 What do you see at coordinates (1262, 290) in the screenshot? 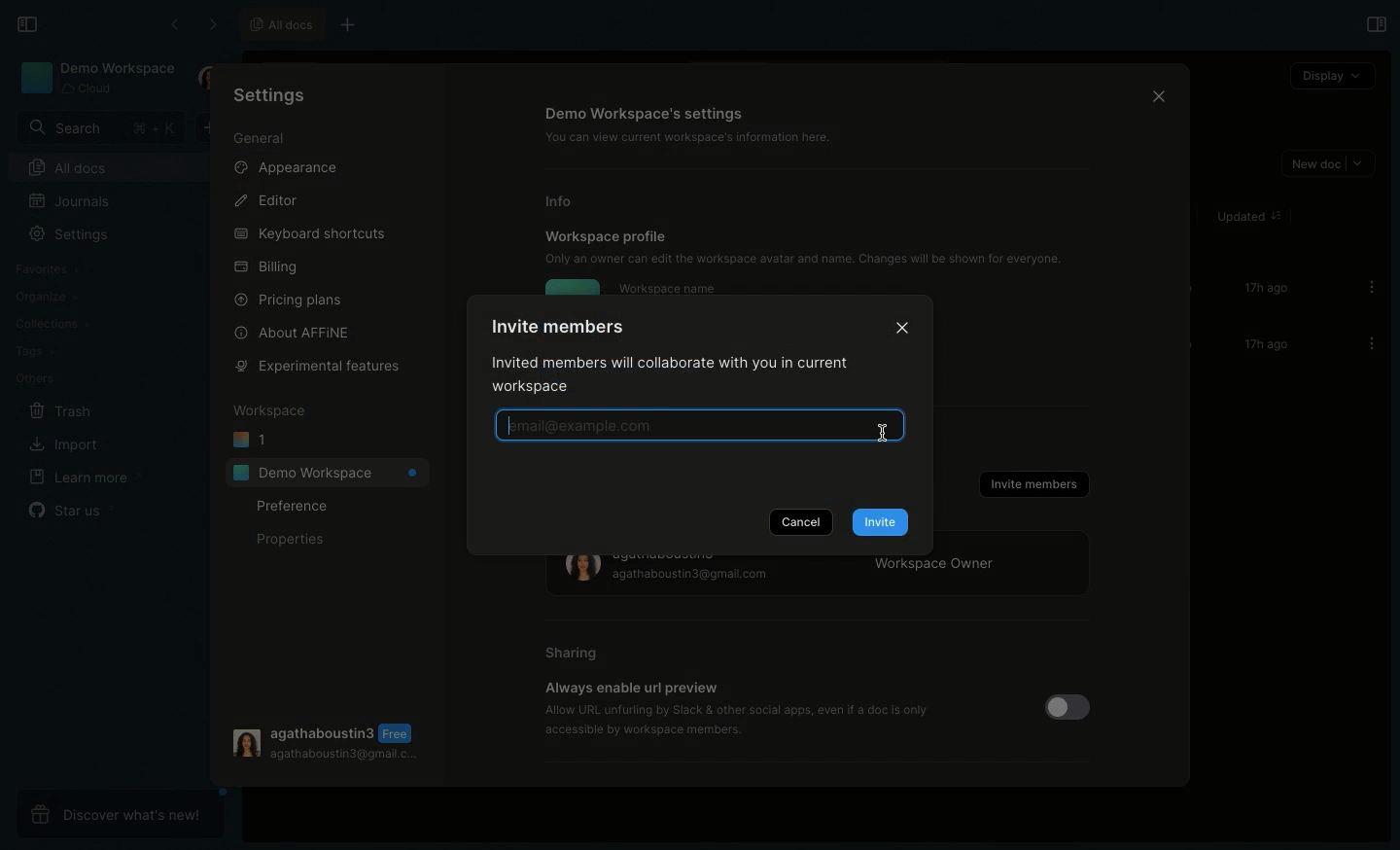
I see `17h ago` at bounding box center [1262, 290].